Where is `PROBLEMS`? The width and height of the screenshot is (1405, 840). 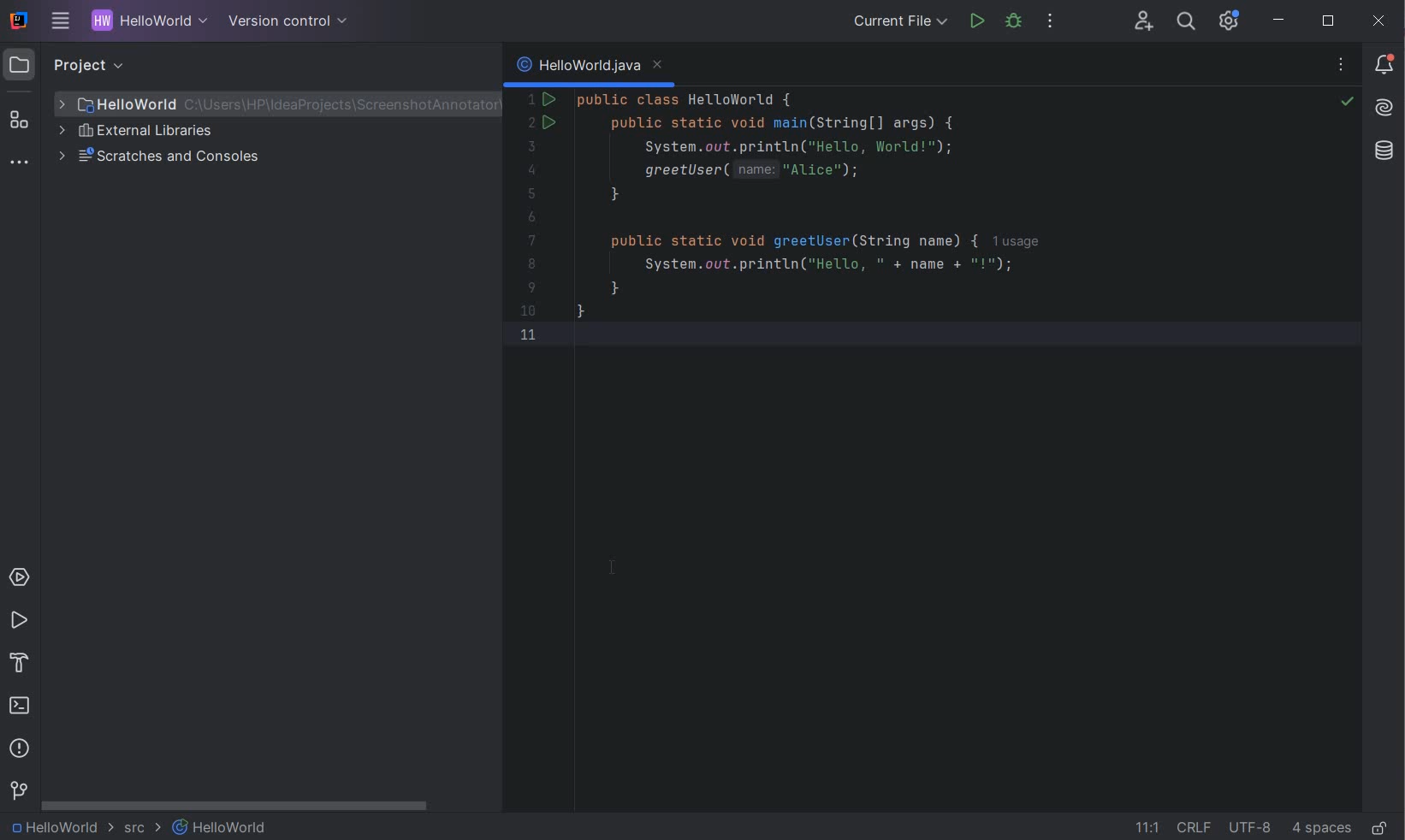 PROBLEMS is located at coordinates (20, 751).